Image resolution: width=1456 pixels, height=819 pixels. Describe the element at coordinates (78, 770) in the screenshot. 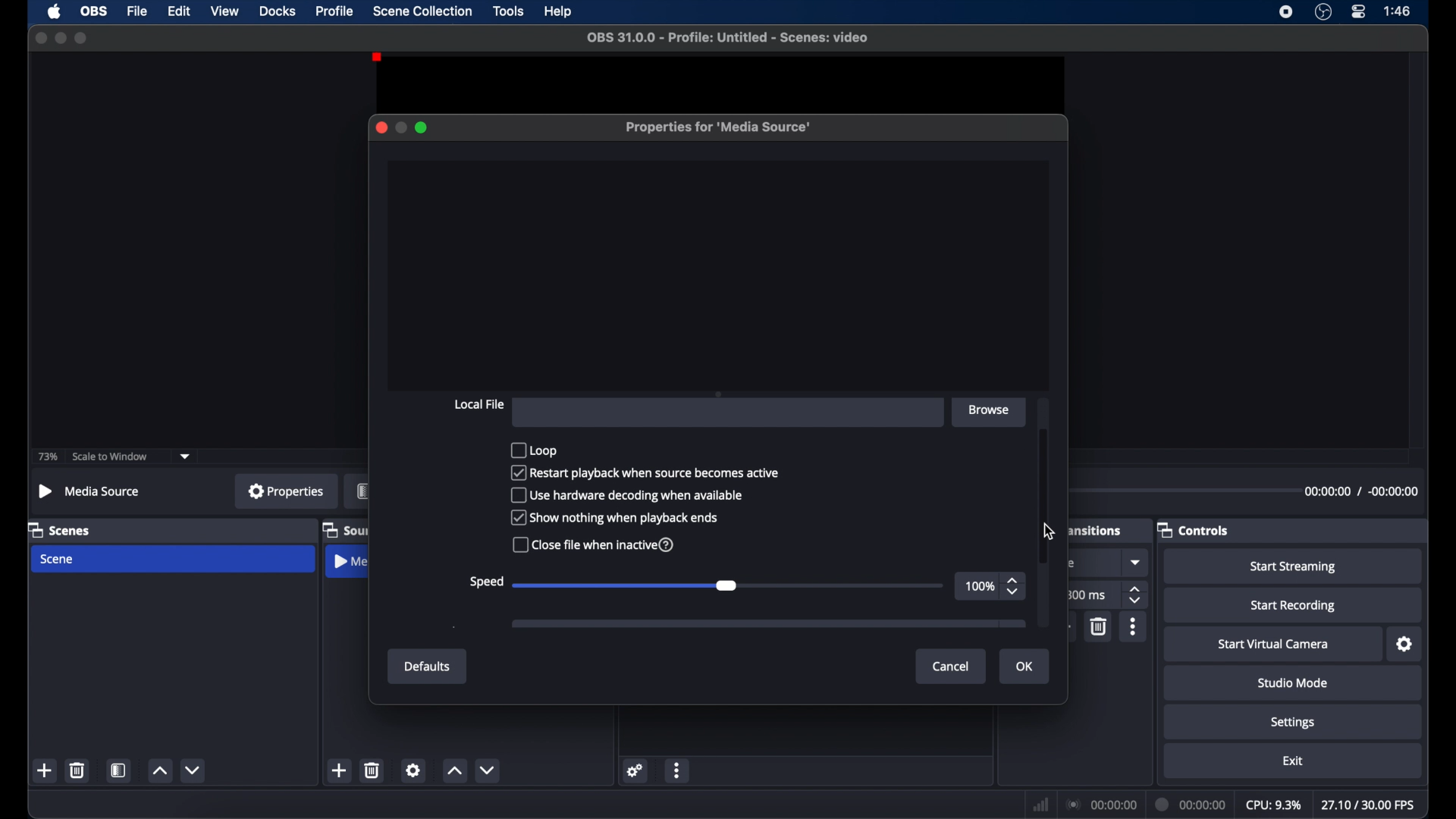

I see `delete` at that location.